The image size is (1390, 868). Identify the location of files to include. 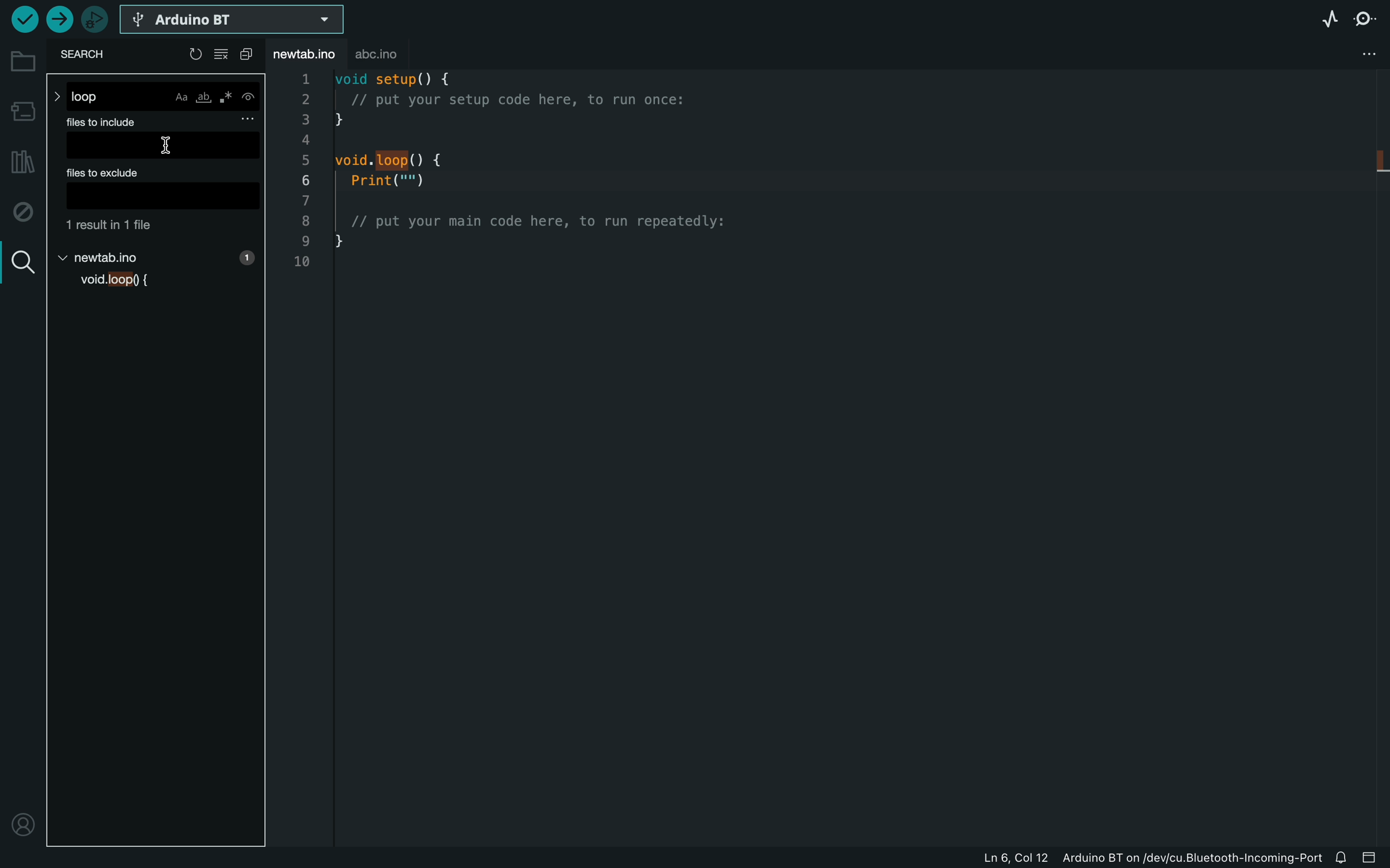
(165, 122).